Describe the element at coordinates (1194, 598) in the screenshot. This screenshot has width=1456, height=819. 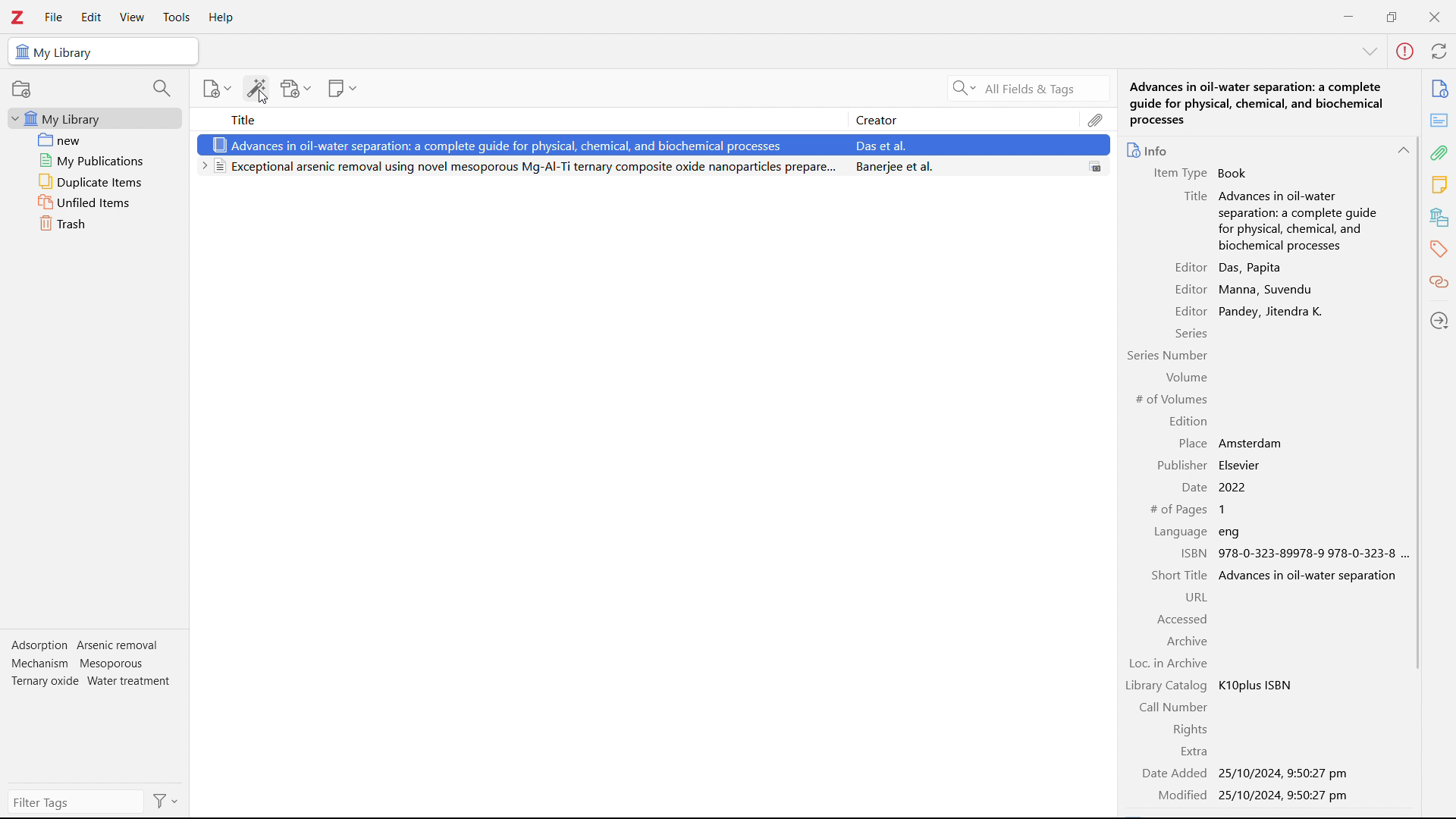
I see `URL` at that location.